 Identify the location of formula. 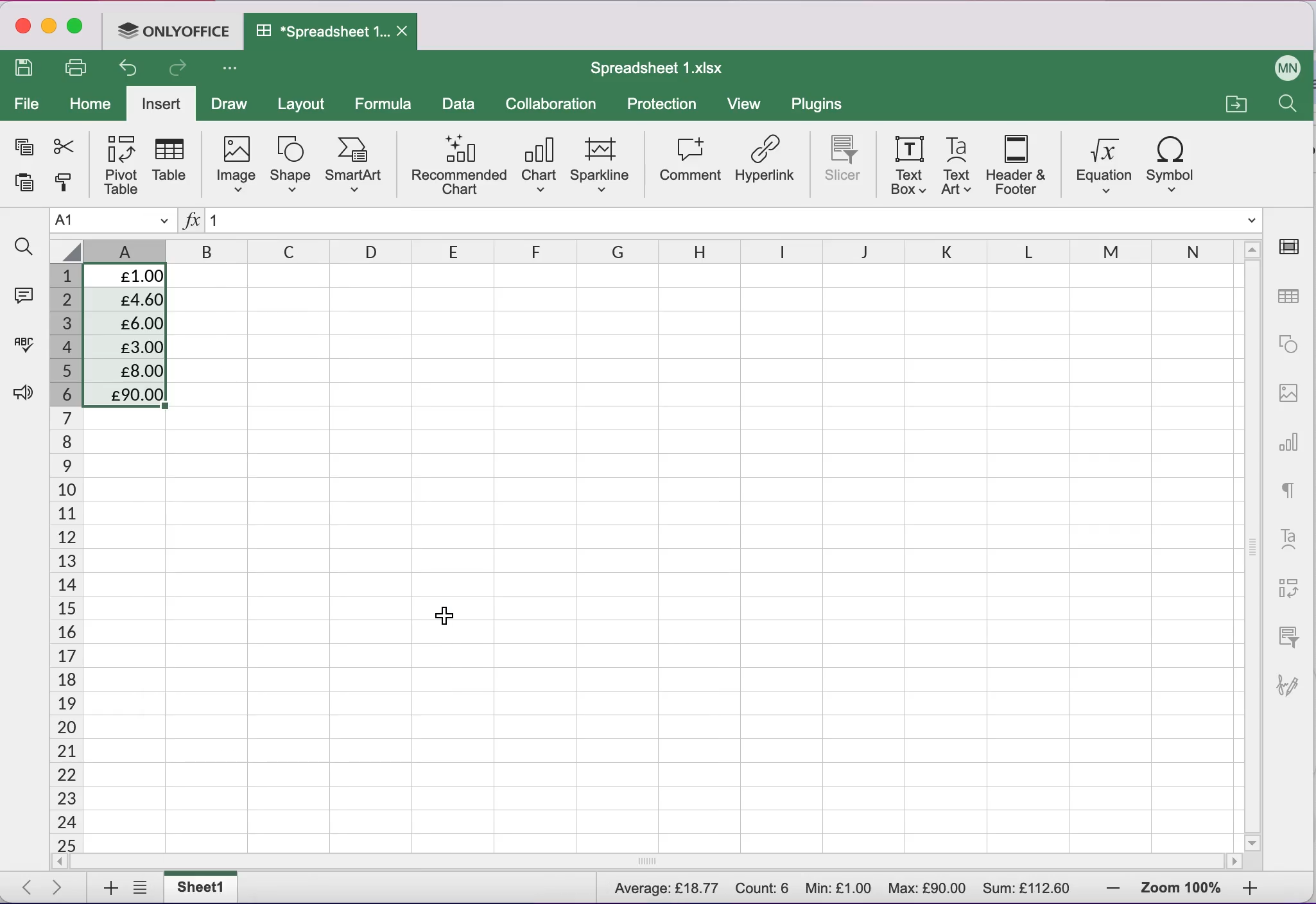
(387, 102).